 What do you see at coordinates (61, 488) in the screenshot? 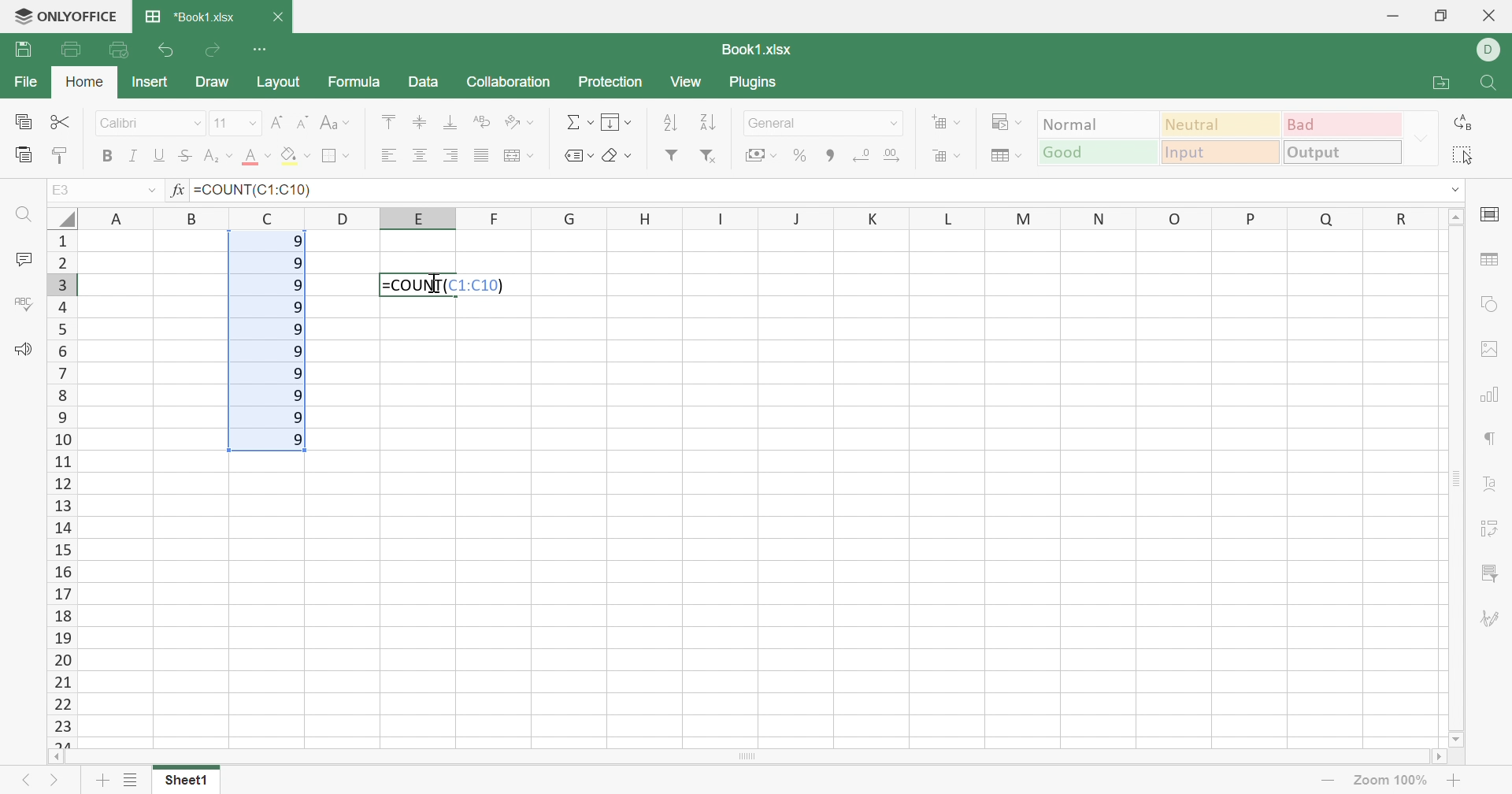
I see `Row numbers` at bounding box center [61, 488].